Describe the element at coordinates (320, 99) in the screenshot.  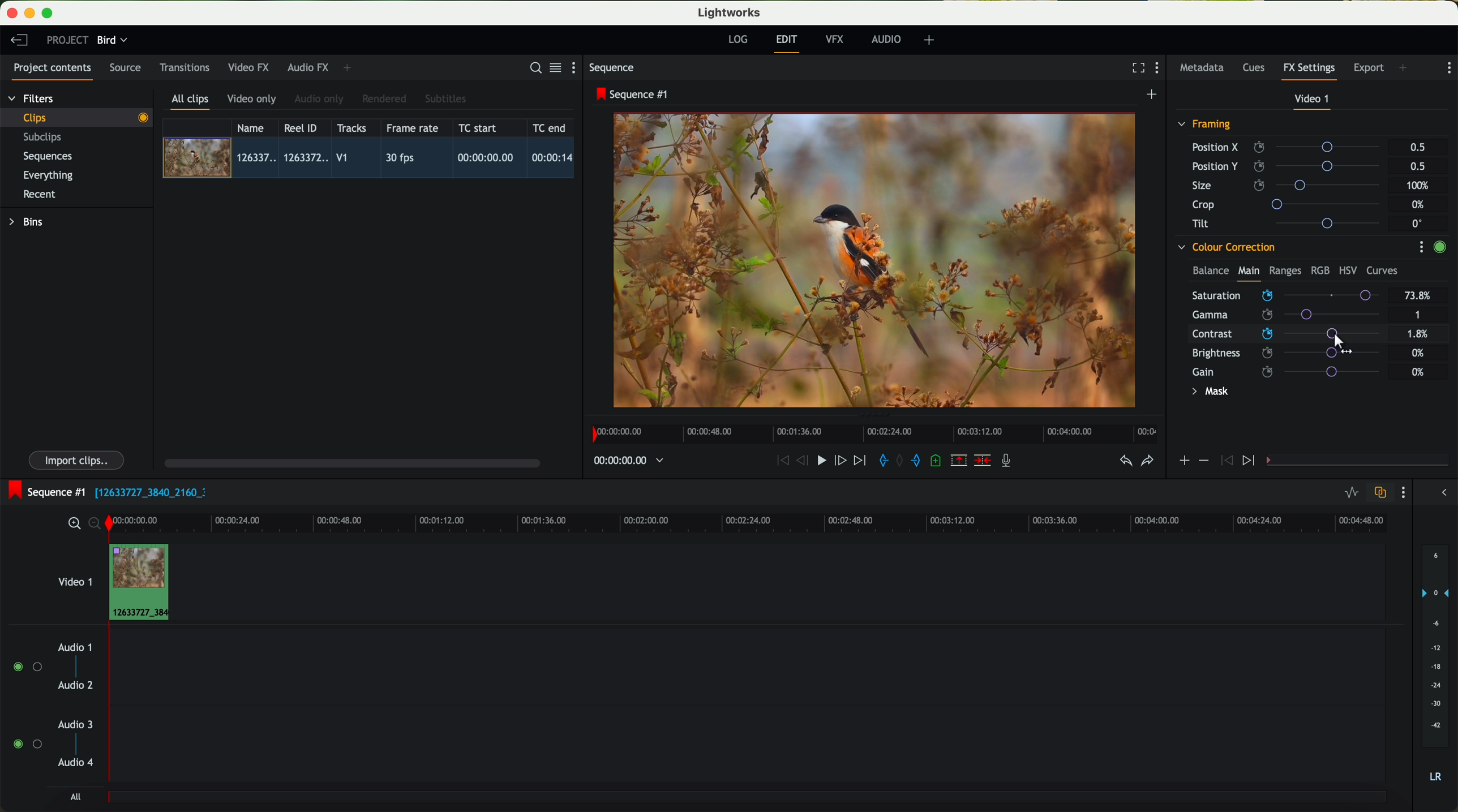
I see `audio only` at that location.